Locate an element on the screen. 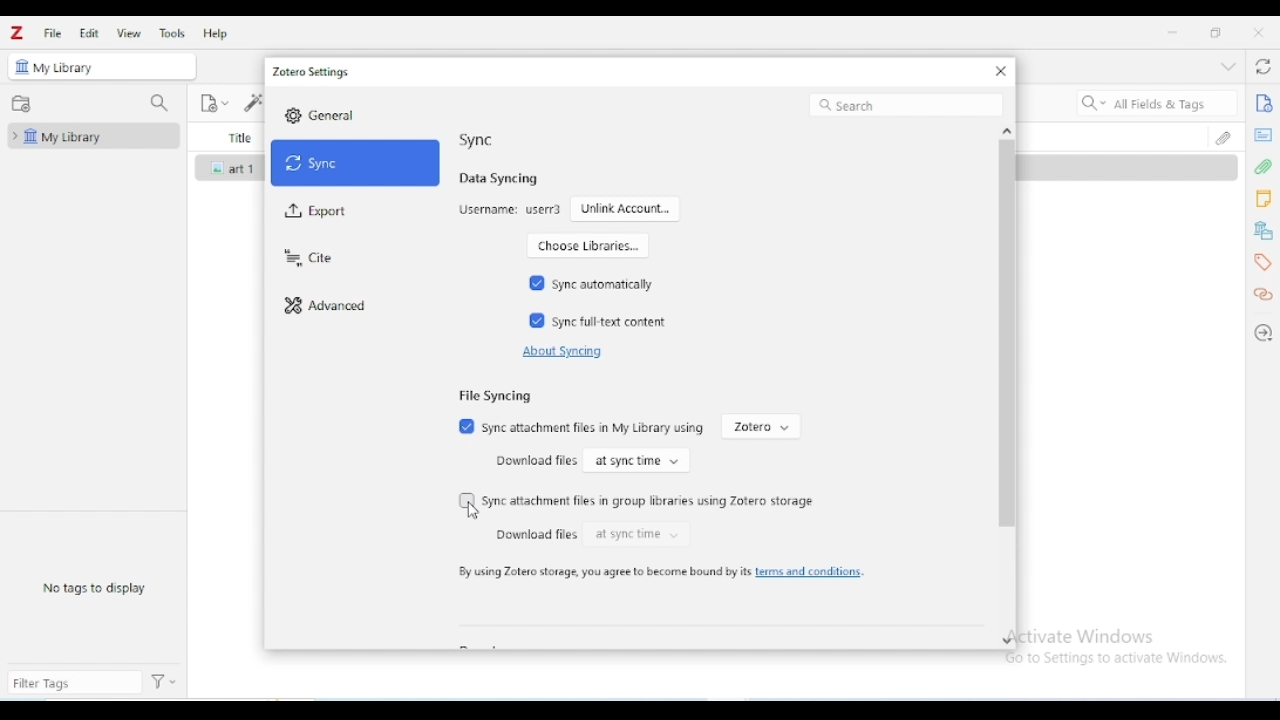   zotero is located at coordinates (761, 427).